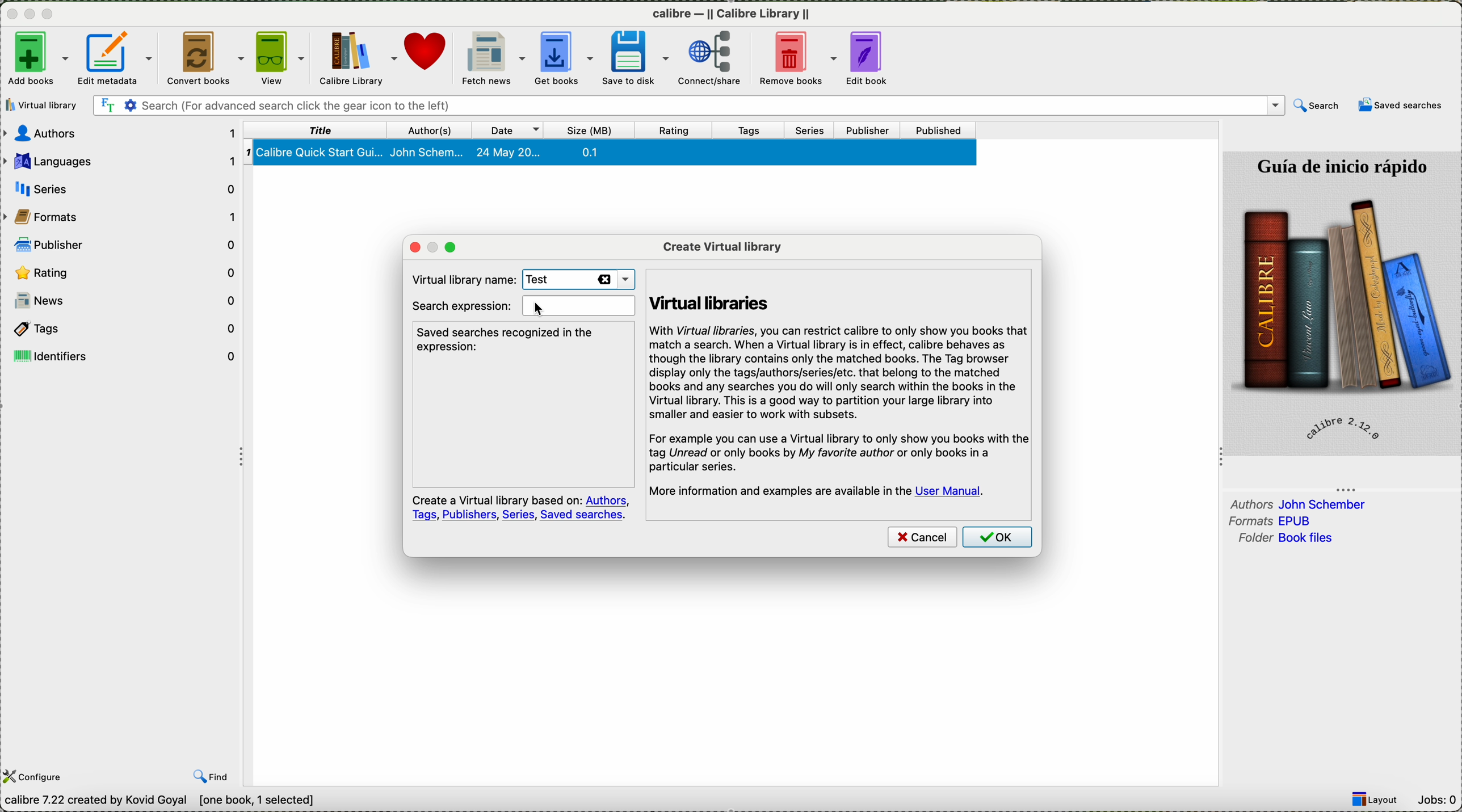 This screenshot has height=812, width=1462. Describe the element at coordinates (590, 130) in the screenshot. I see `size` at that location.